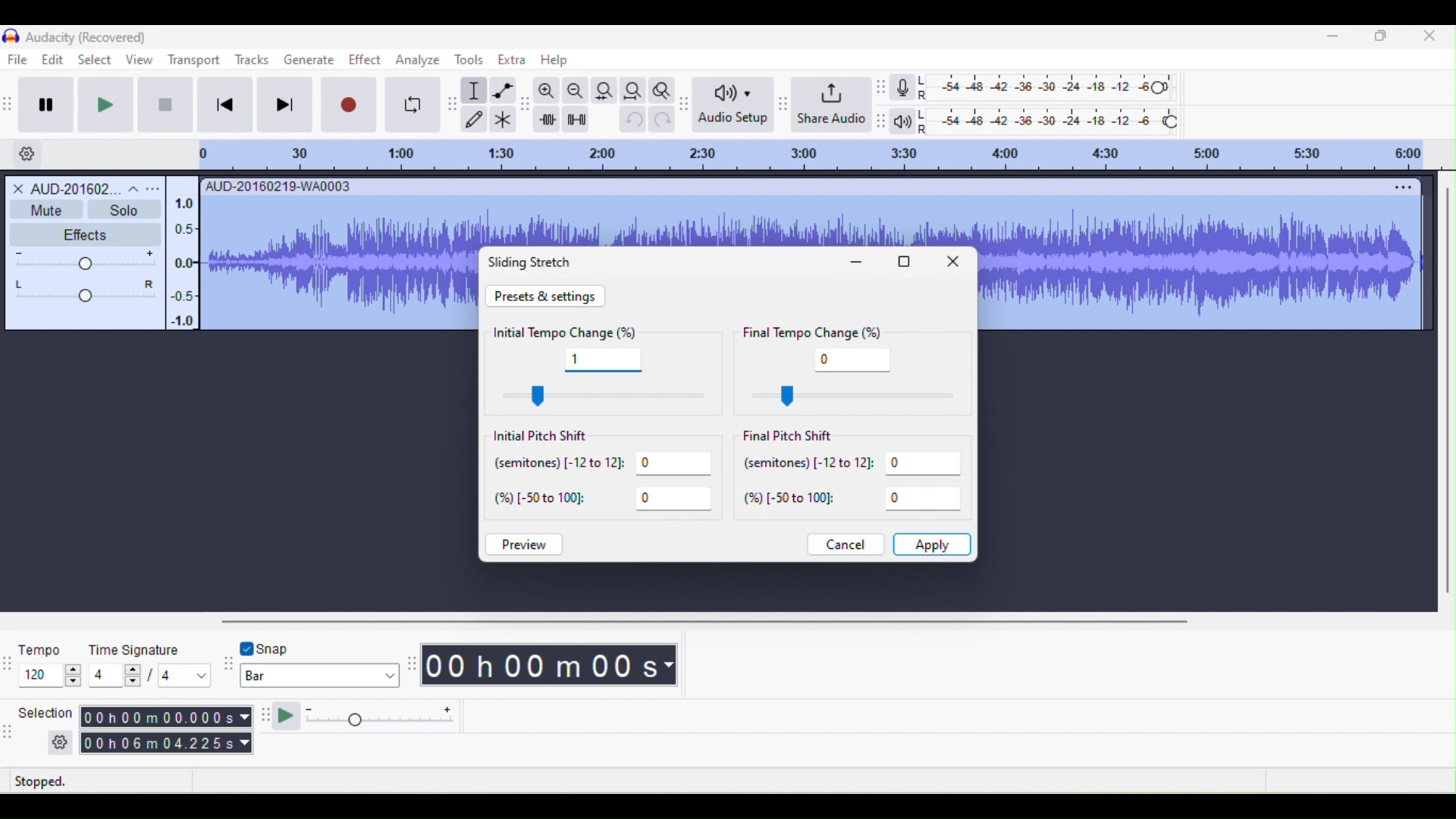  I want to click on zoom in, so click(547, 91).